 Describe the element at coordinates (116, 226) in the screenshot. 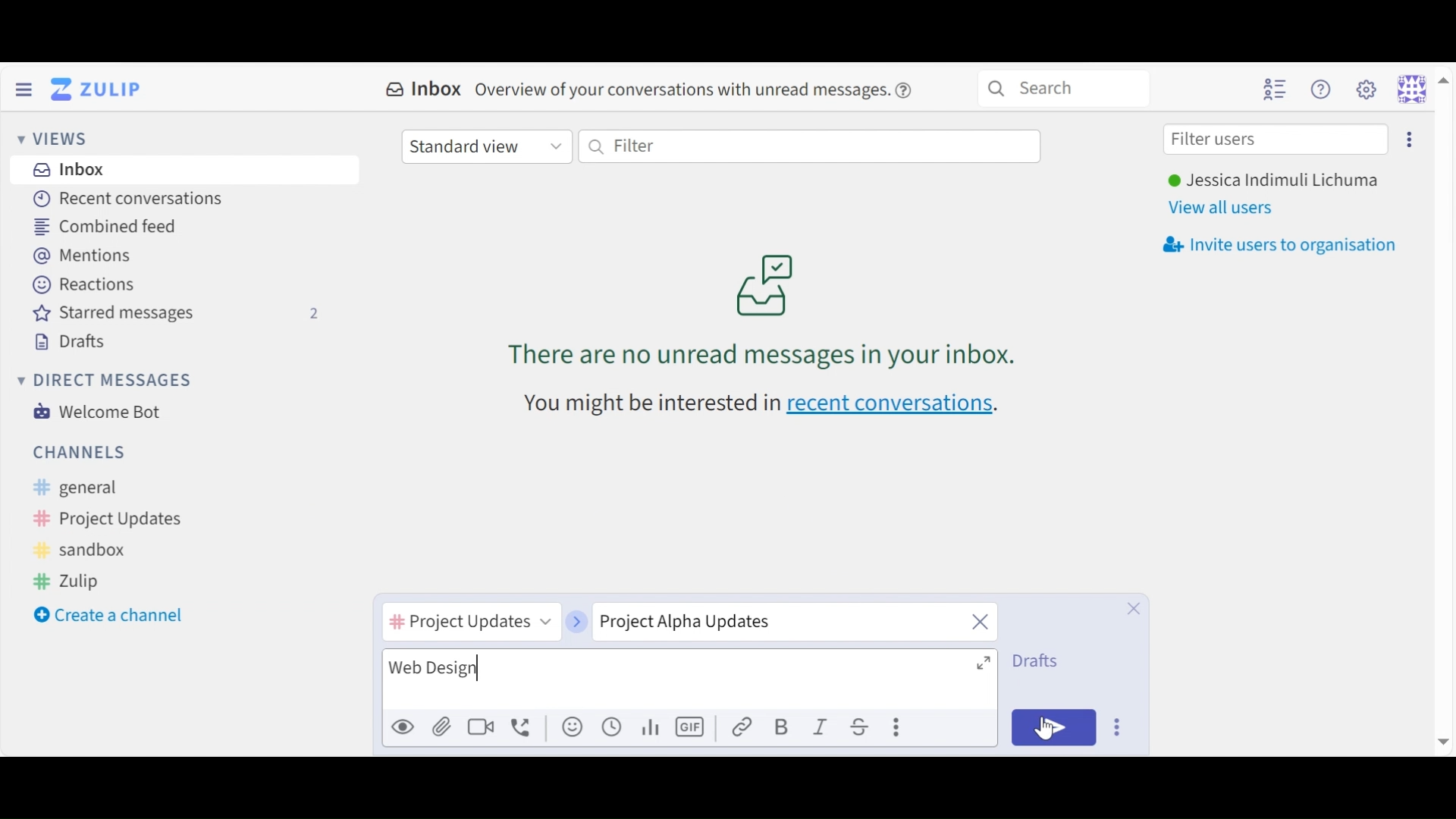

I see `Combined feed` at that location.